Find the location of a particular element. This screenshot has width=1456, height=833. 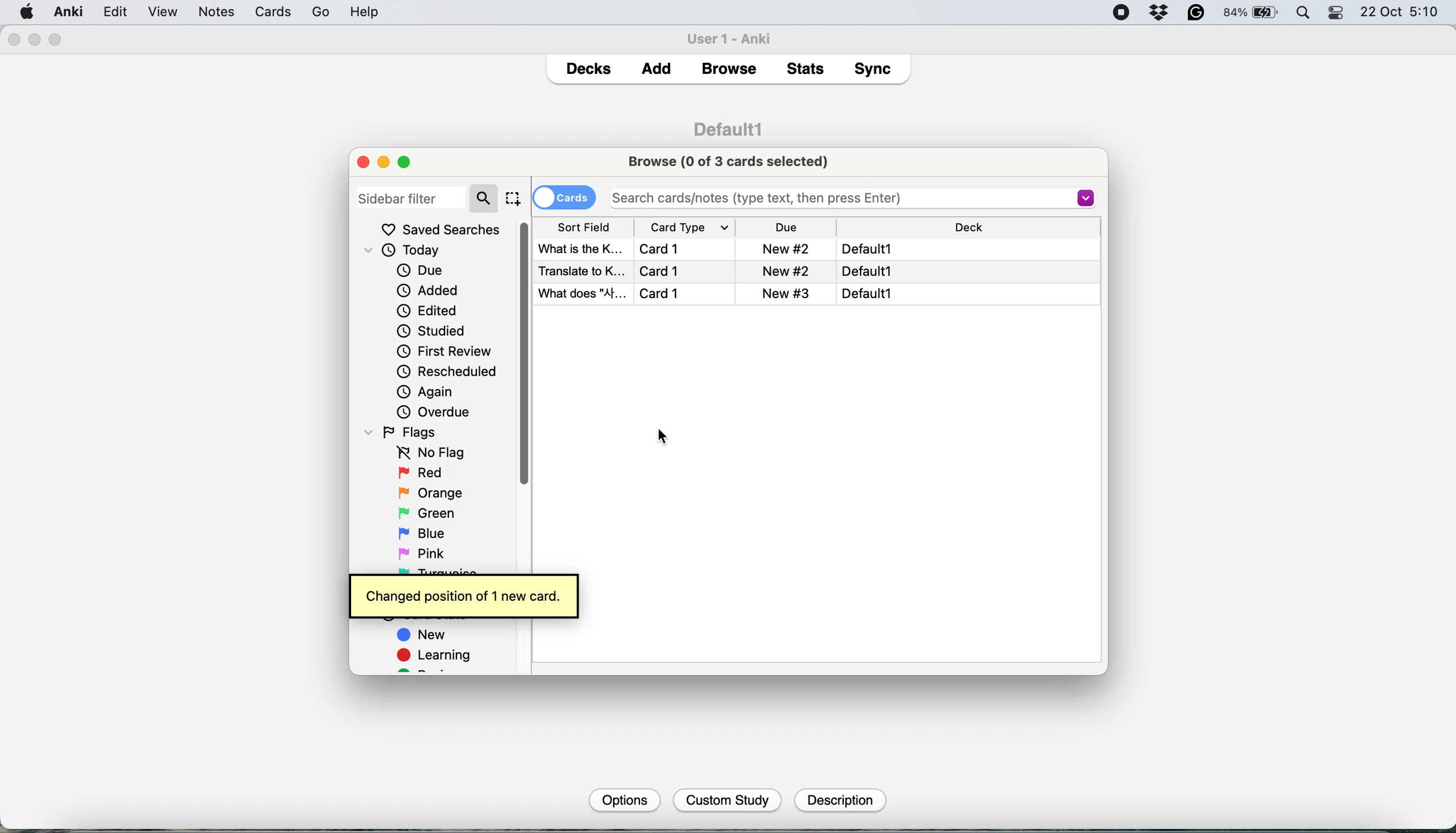

What does "사... is located at coordinates (581, 293).